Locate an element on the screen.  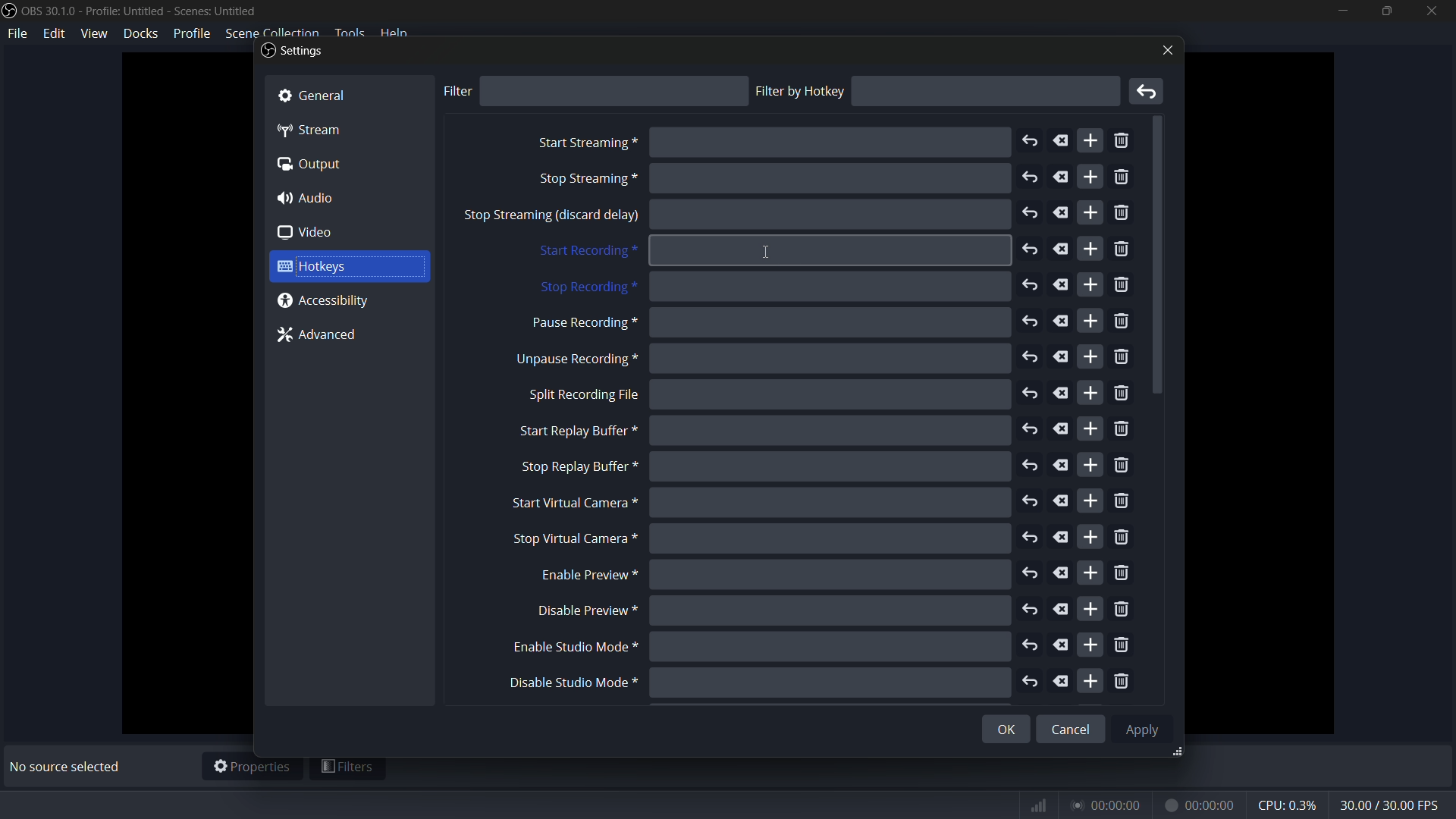
remove is located at coordinates (1123, 610).